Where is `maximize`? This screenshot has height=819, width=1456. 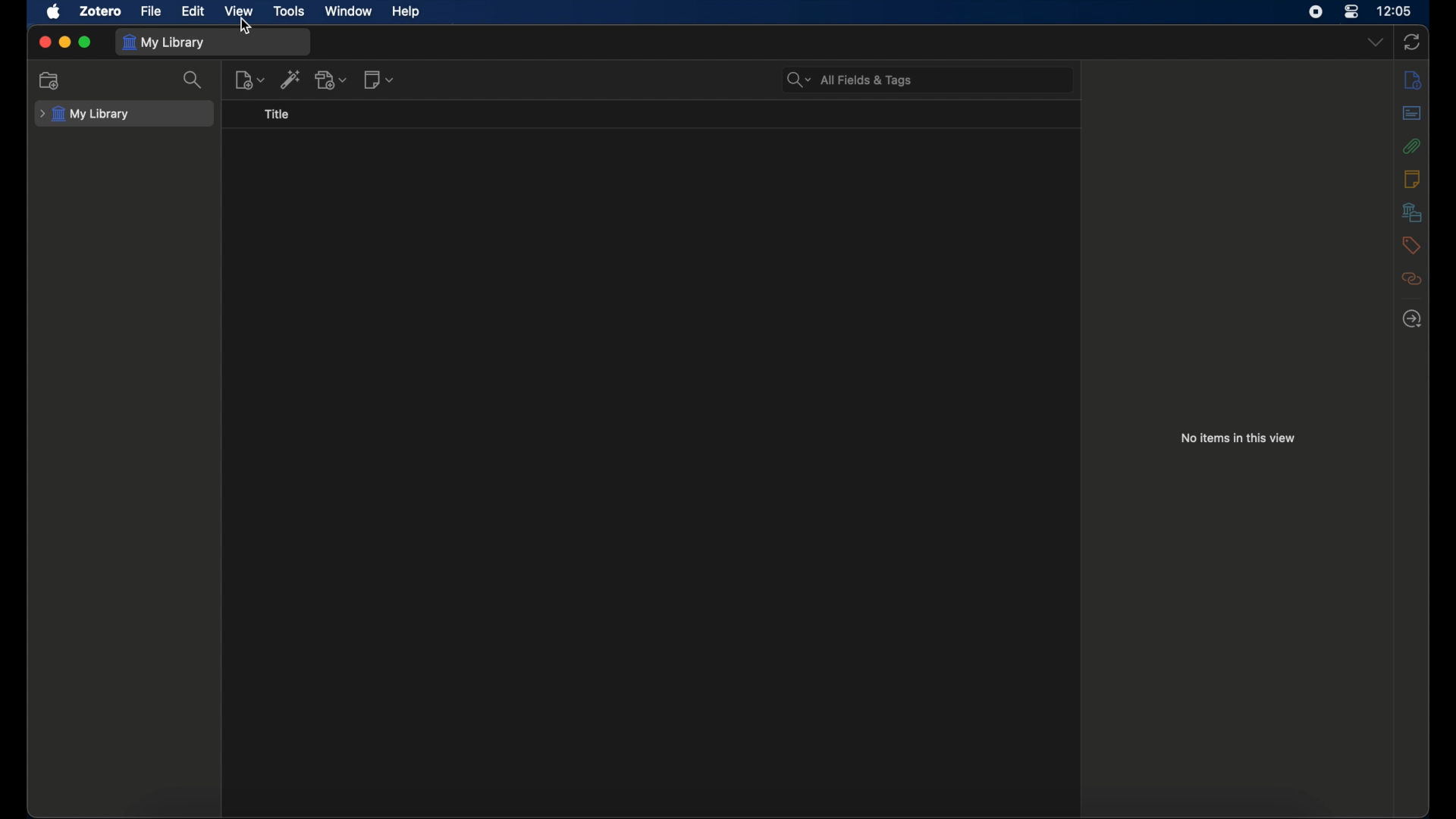
maximize is located at coordinates (86, 42).